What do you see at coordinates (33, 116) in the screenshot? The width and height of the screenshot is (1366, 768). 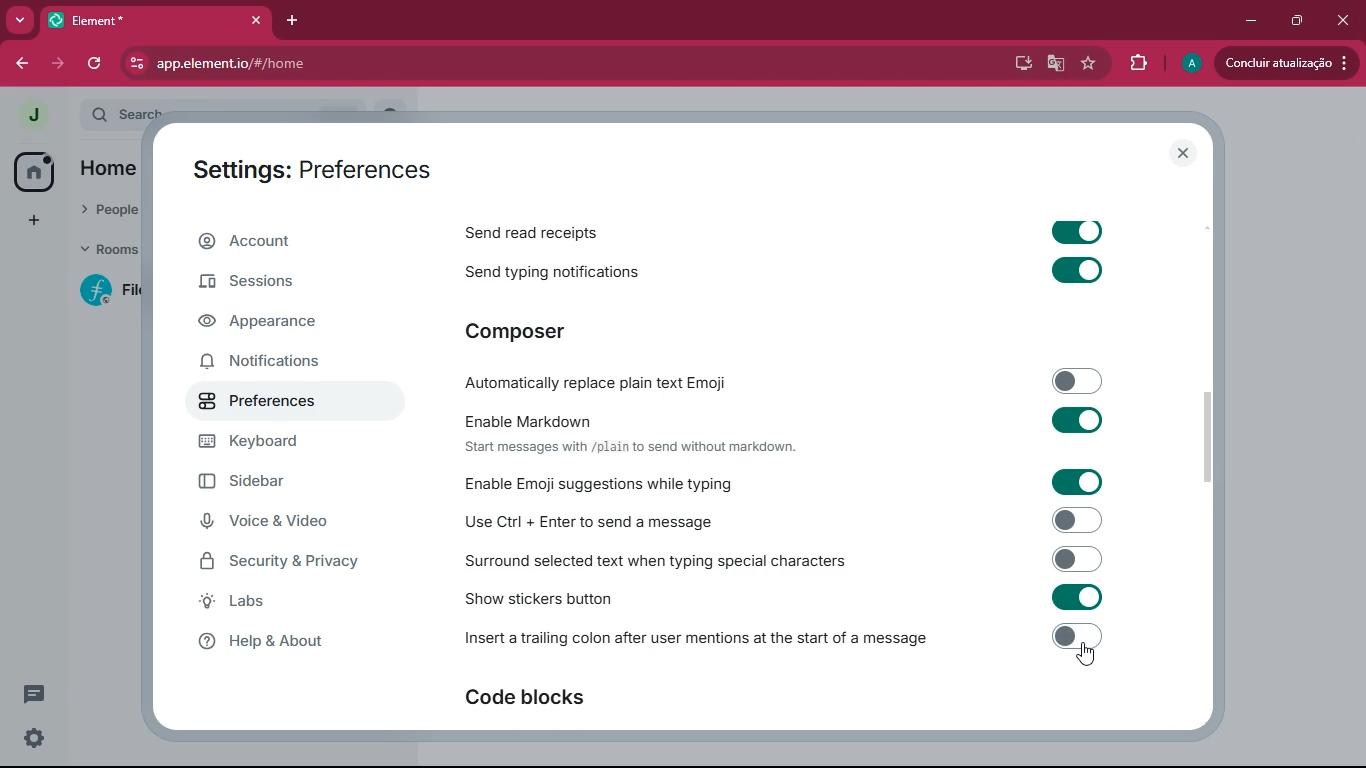 I see `profile picture` at bounding box center [33, 116].